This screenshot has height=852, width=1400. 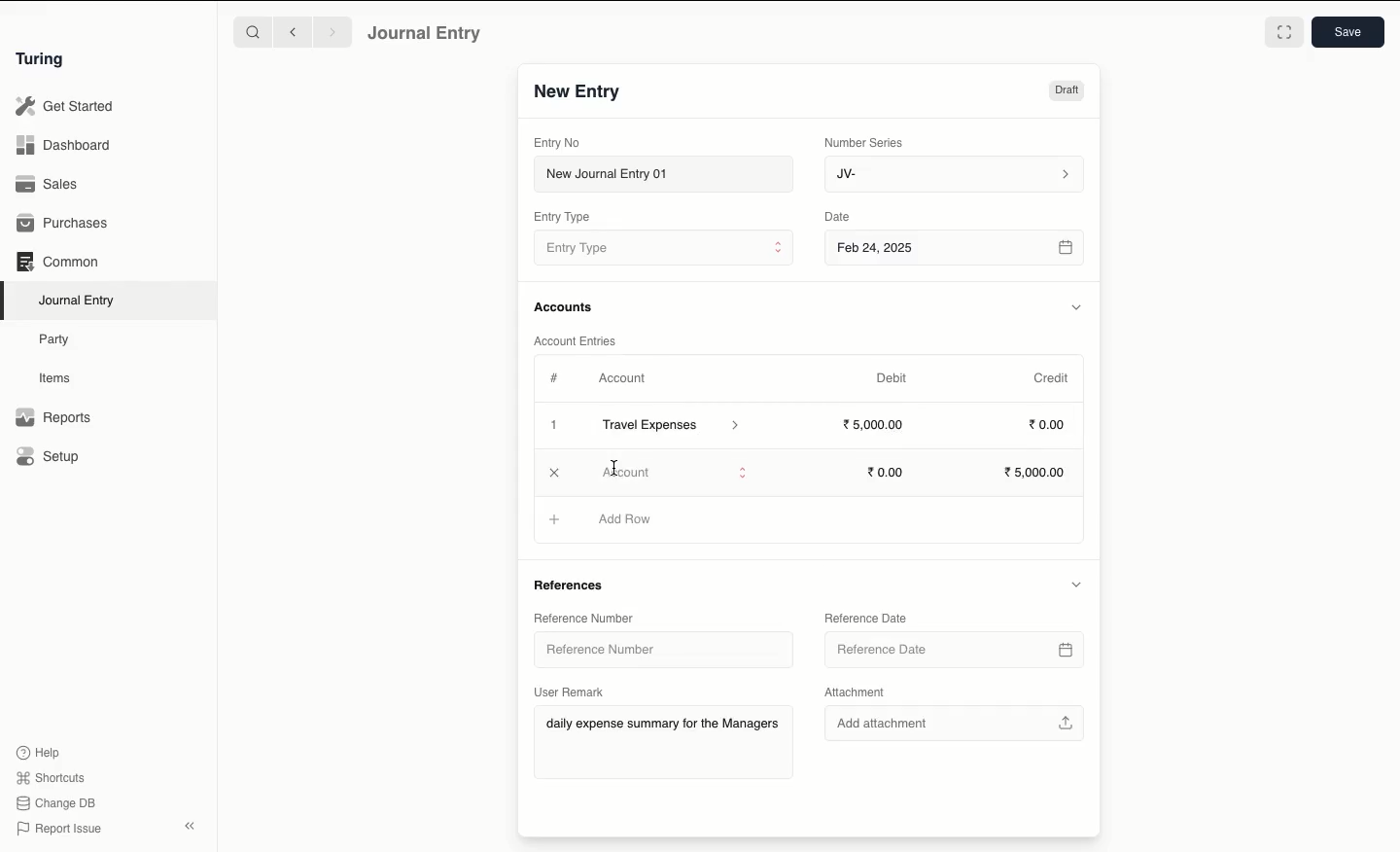 What do you see at coordinates (565, 307) in the screenshot?
I see `Accounts` at bounding box center [565, 307].